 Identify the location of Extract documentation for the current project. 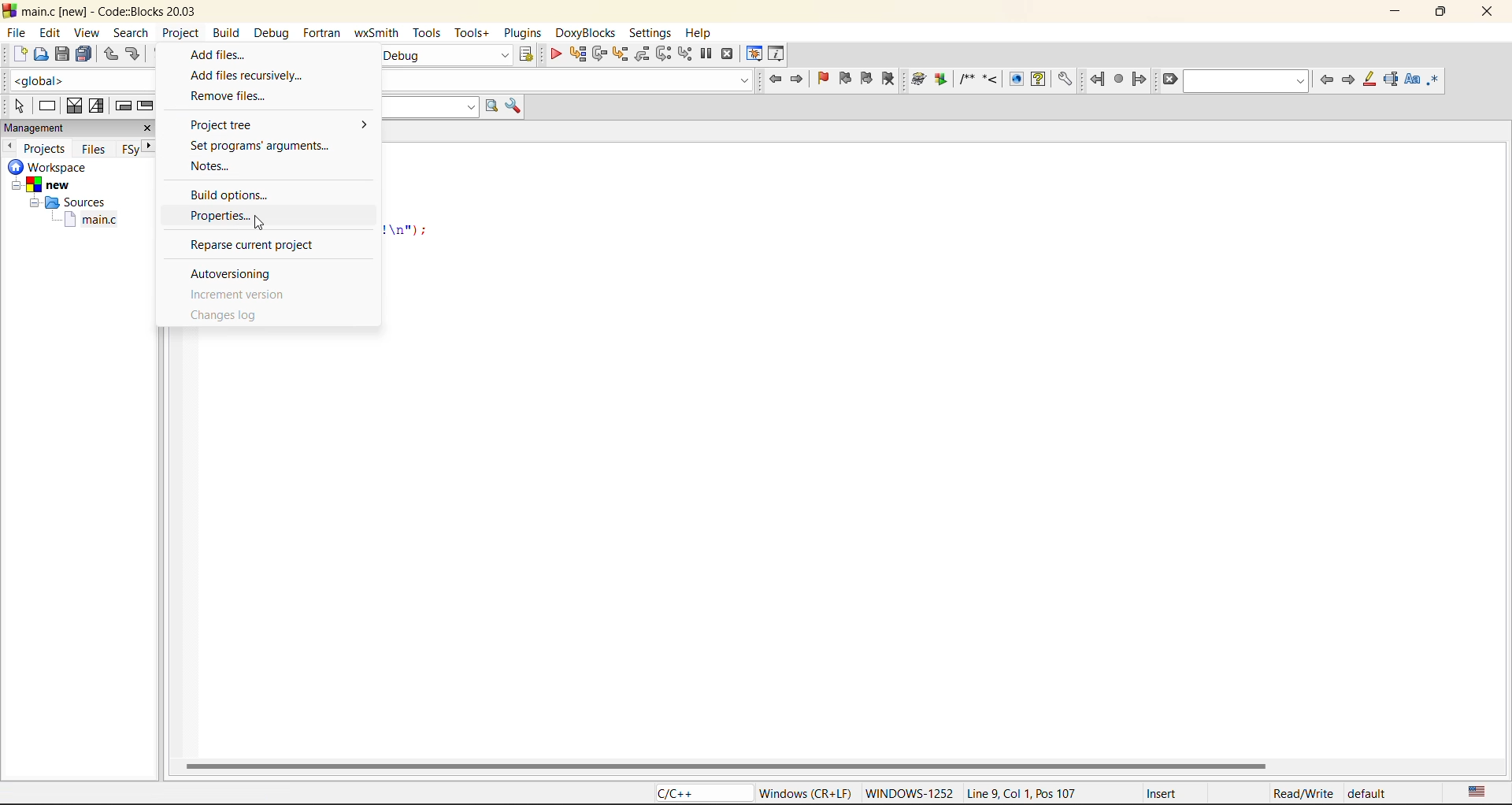
(939, 80).